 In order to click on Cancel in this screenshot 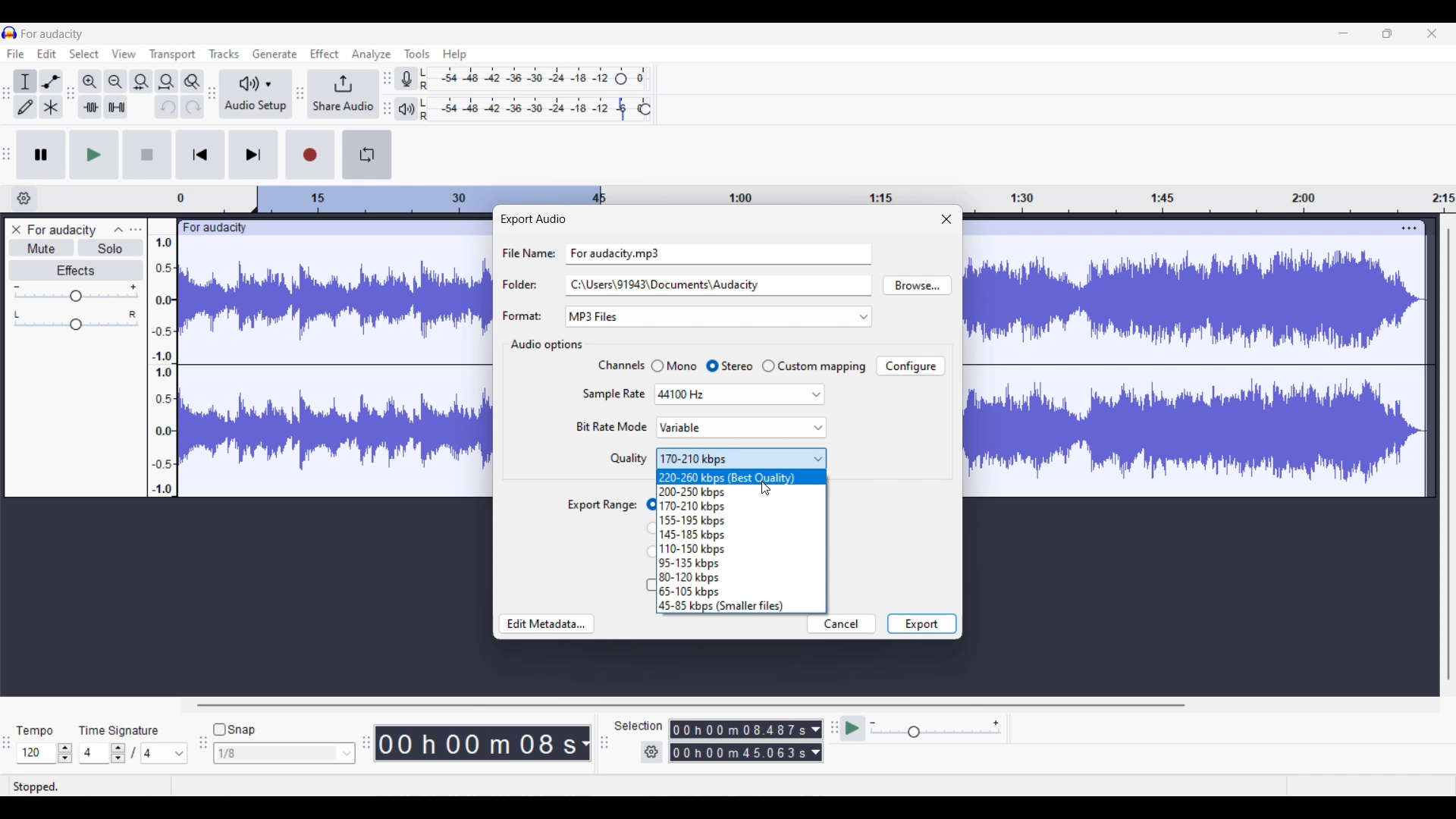, I will do `click(843, 623)`.